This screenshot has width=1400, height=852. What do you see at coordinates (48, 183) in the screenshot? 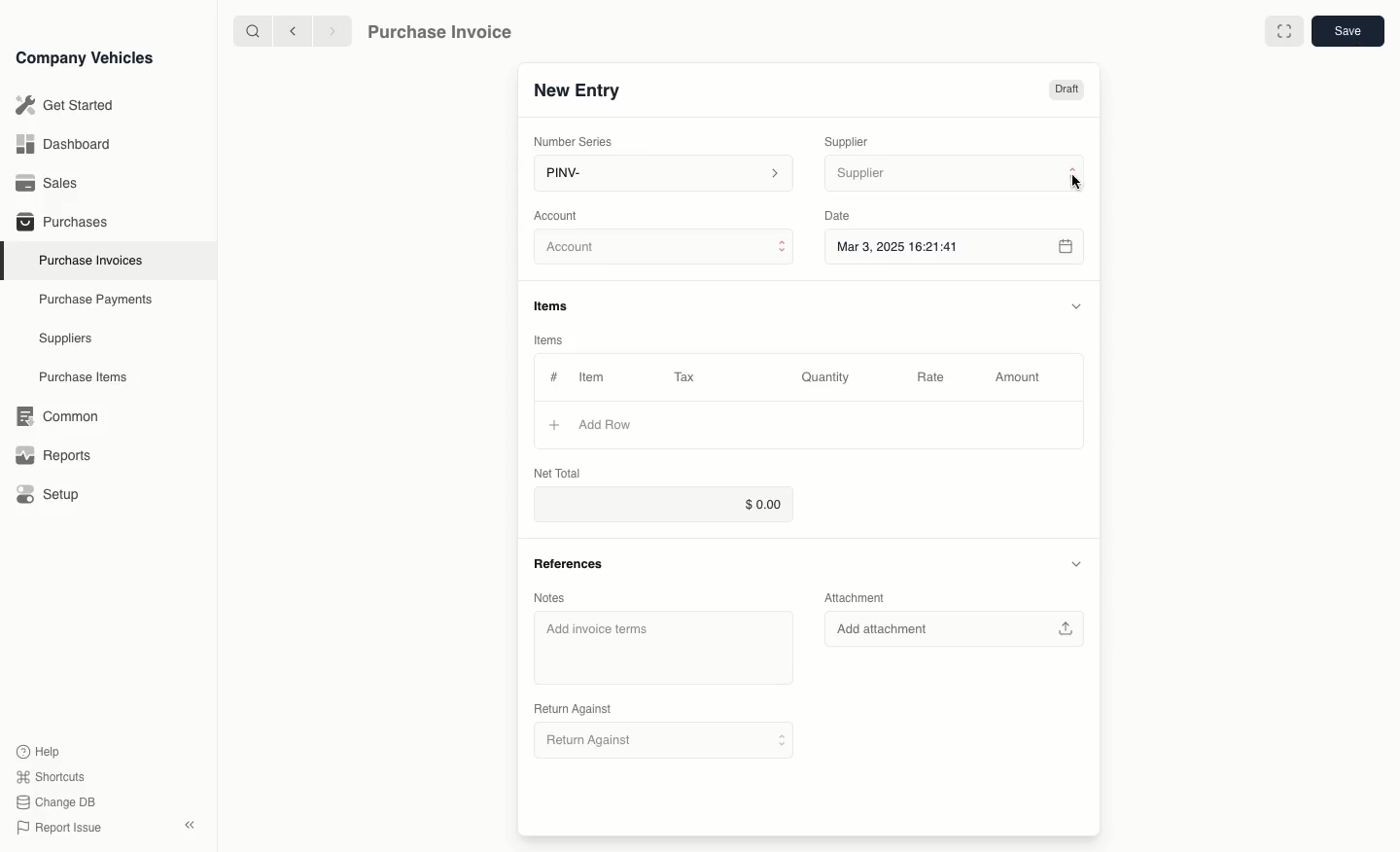
I see `Sales` at bounding box center [48, 183].